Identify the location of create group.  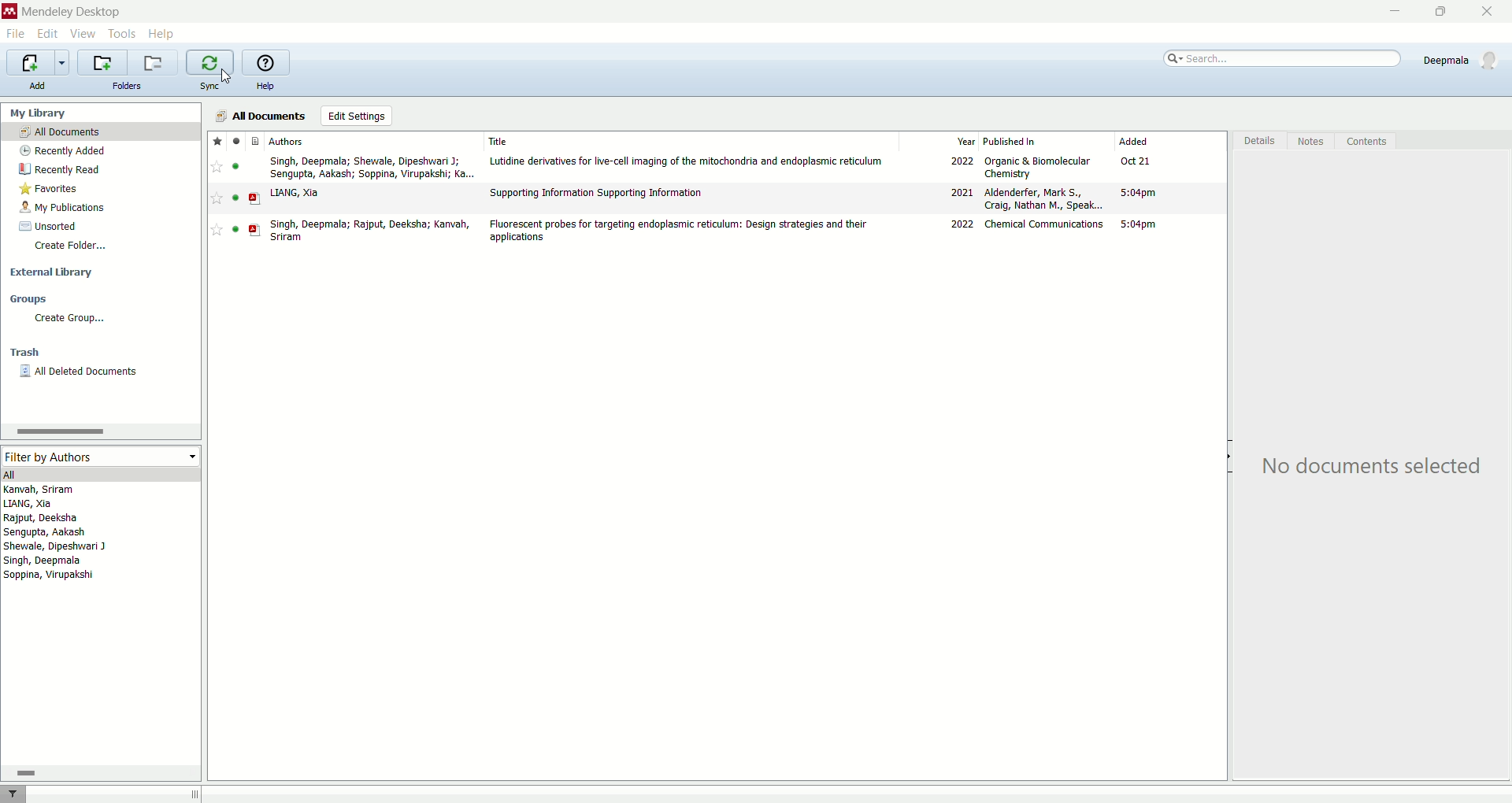
(69, 320).